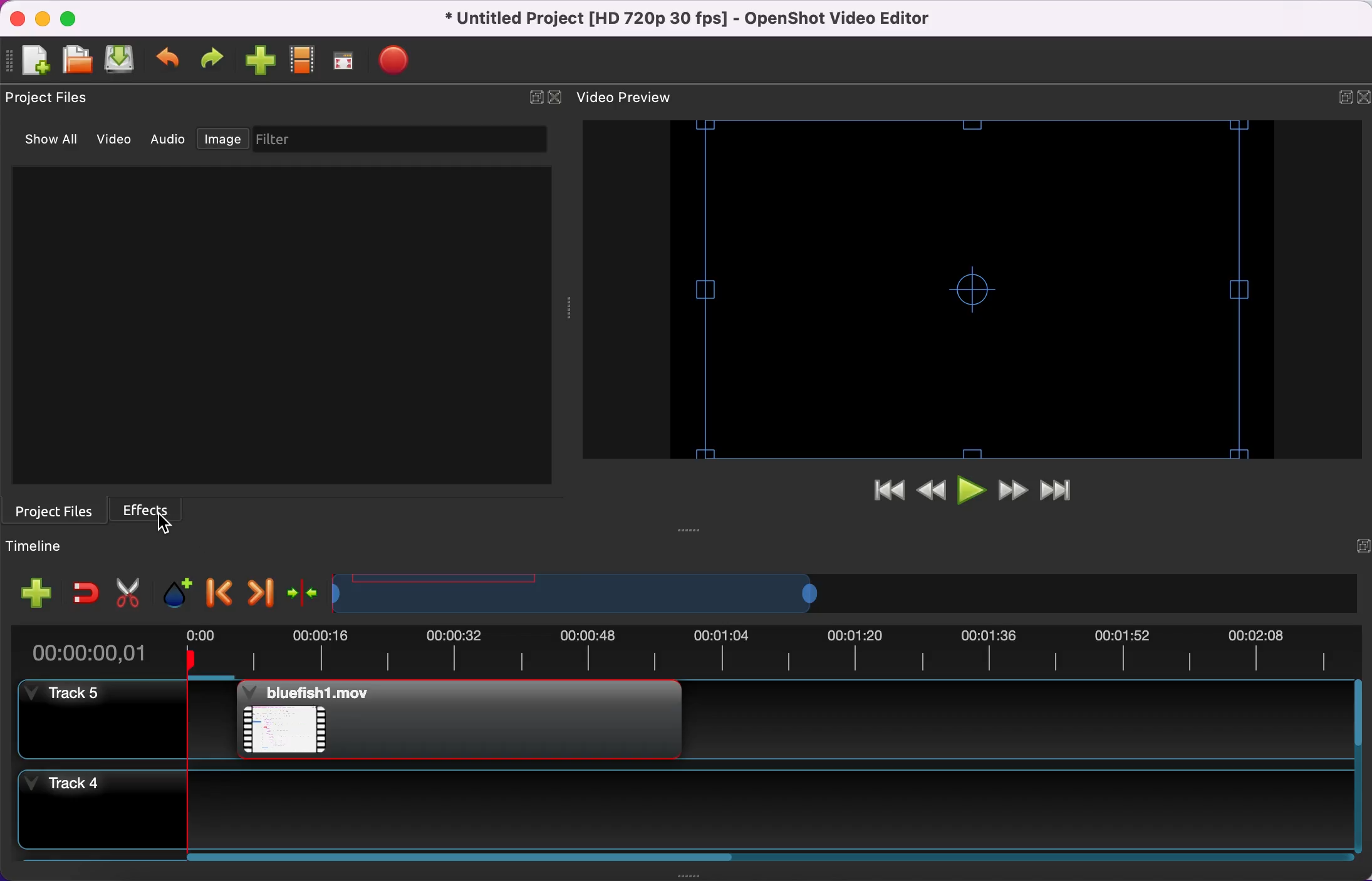  What do you see at coordinates (83, 594) in the screenshot?
I see `enable snapping` at bounding box center [83, 594].